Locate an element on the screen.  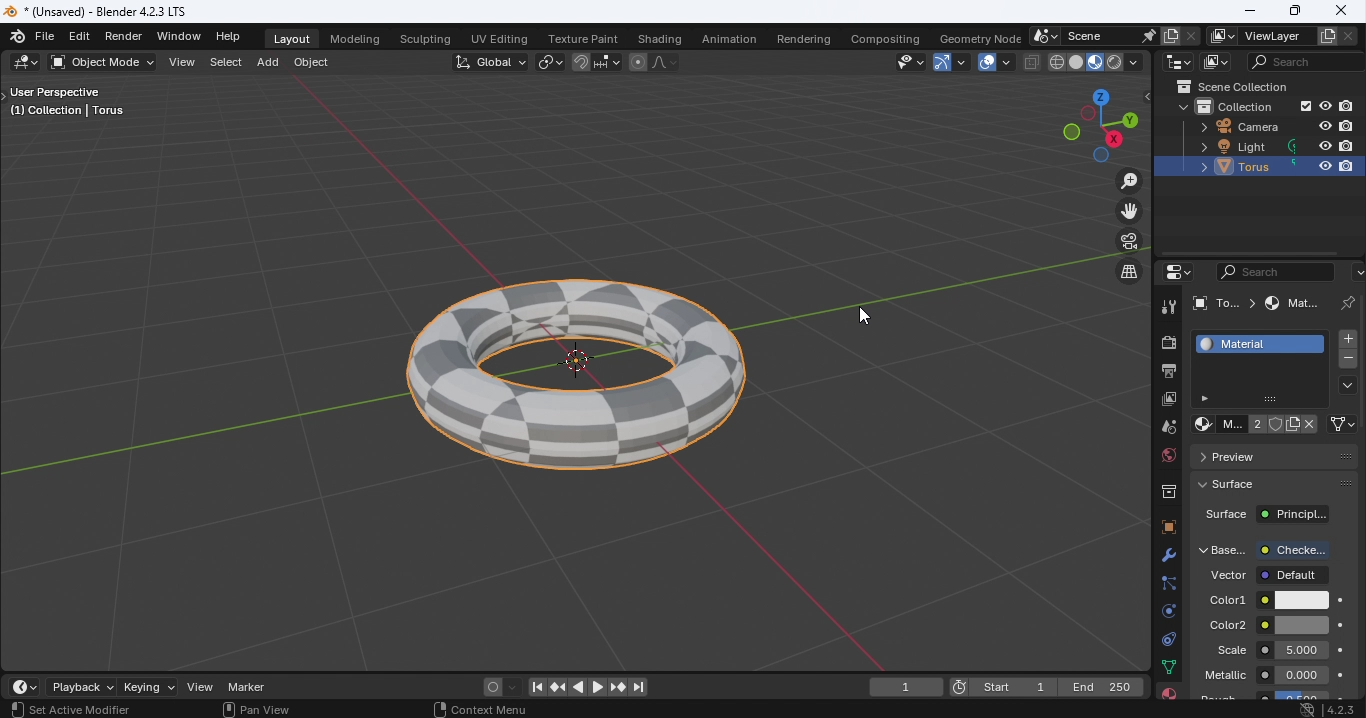
Unlink data block is located at coordinates (1309, 422).